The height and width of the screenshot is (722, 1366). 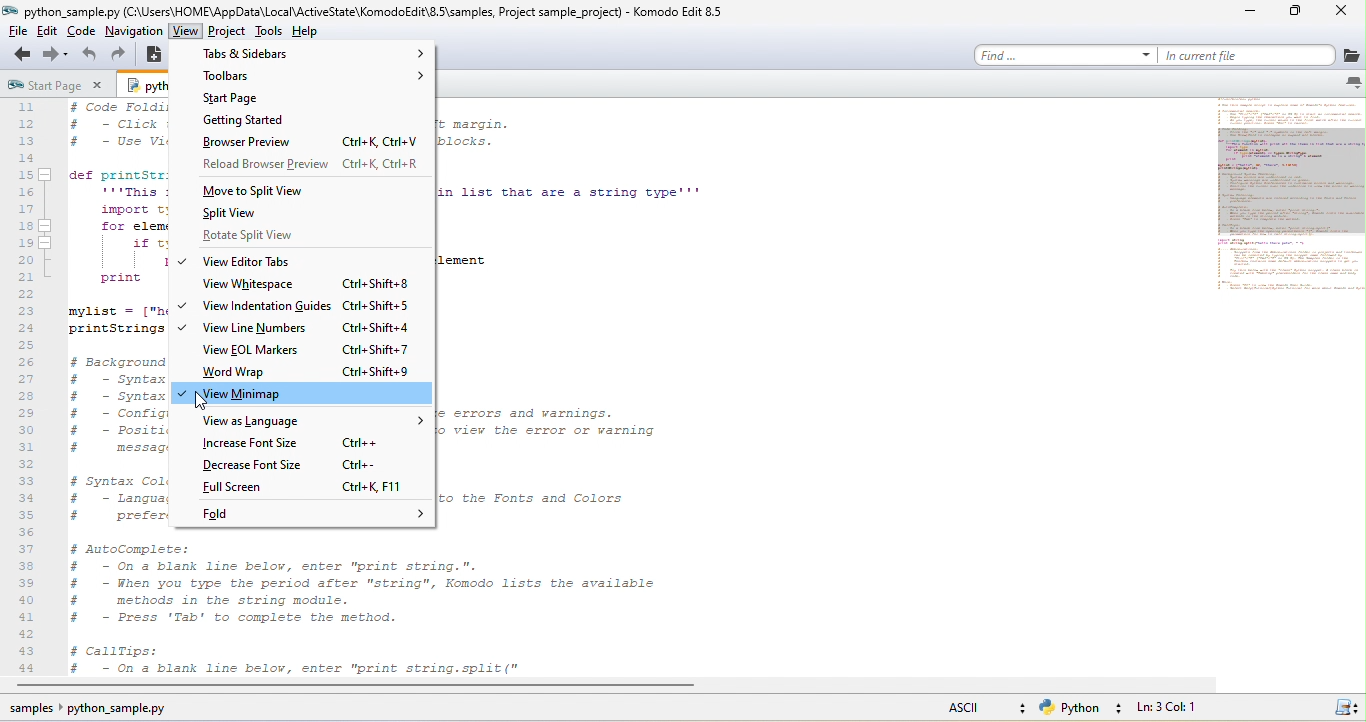 I want to click on new, so click(x=153, y=58).